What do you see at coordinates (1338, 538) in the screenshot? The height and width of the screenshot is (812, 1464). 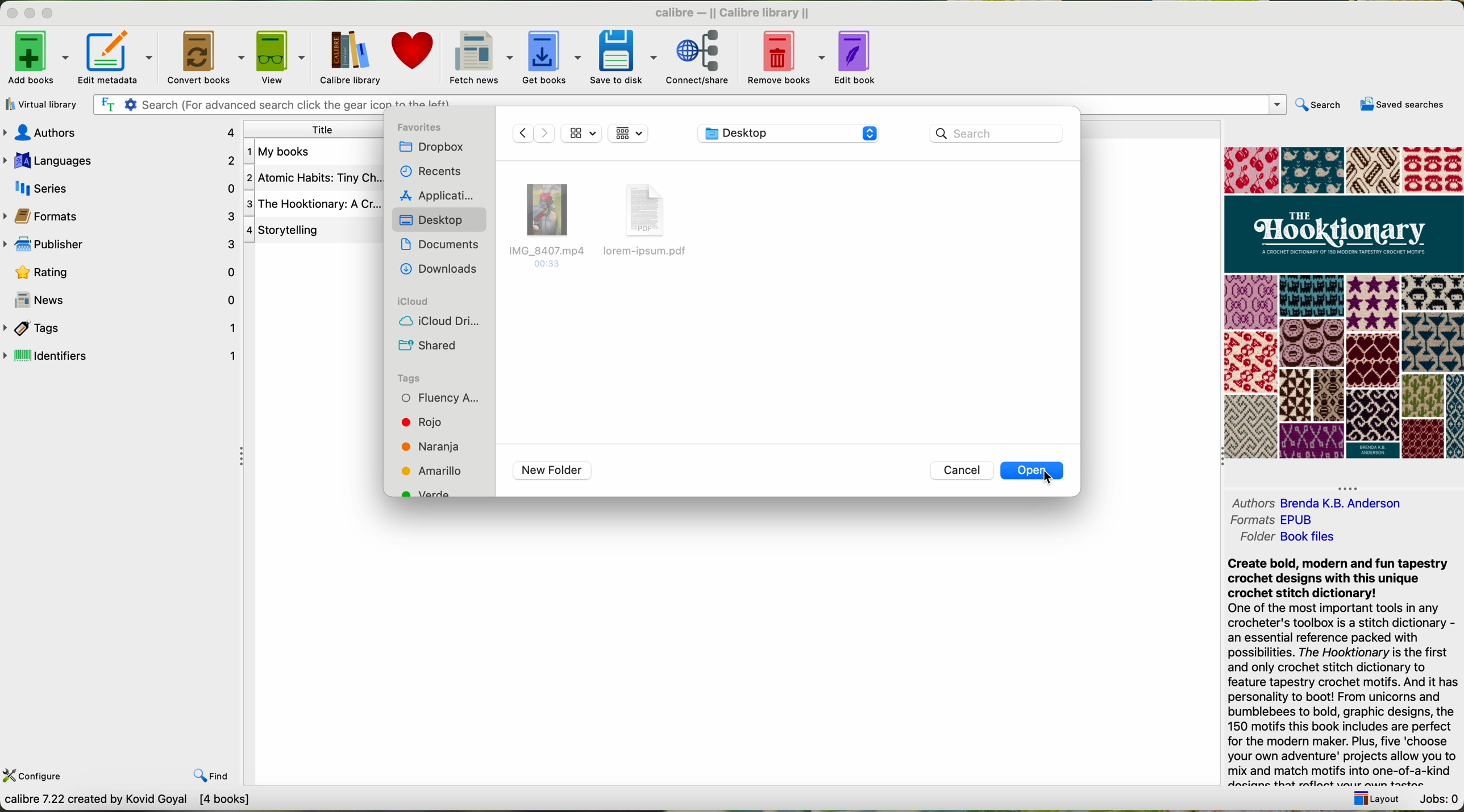 I see `Book File` at bounding box center [1338, 538].